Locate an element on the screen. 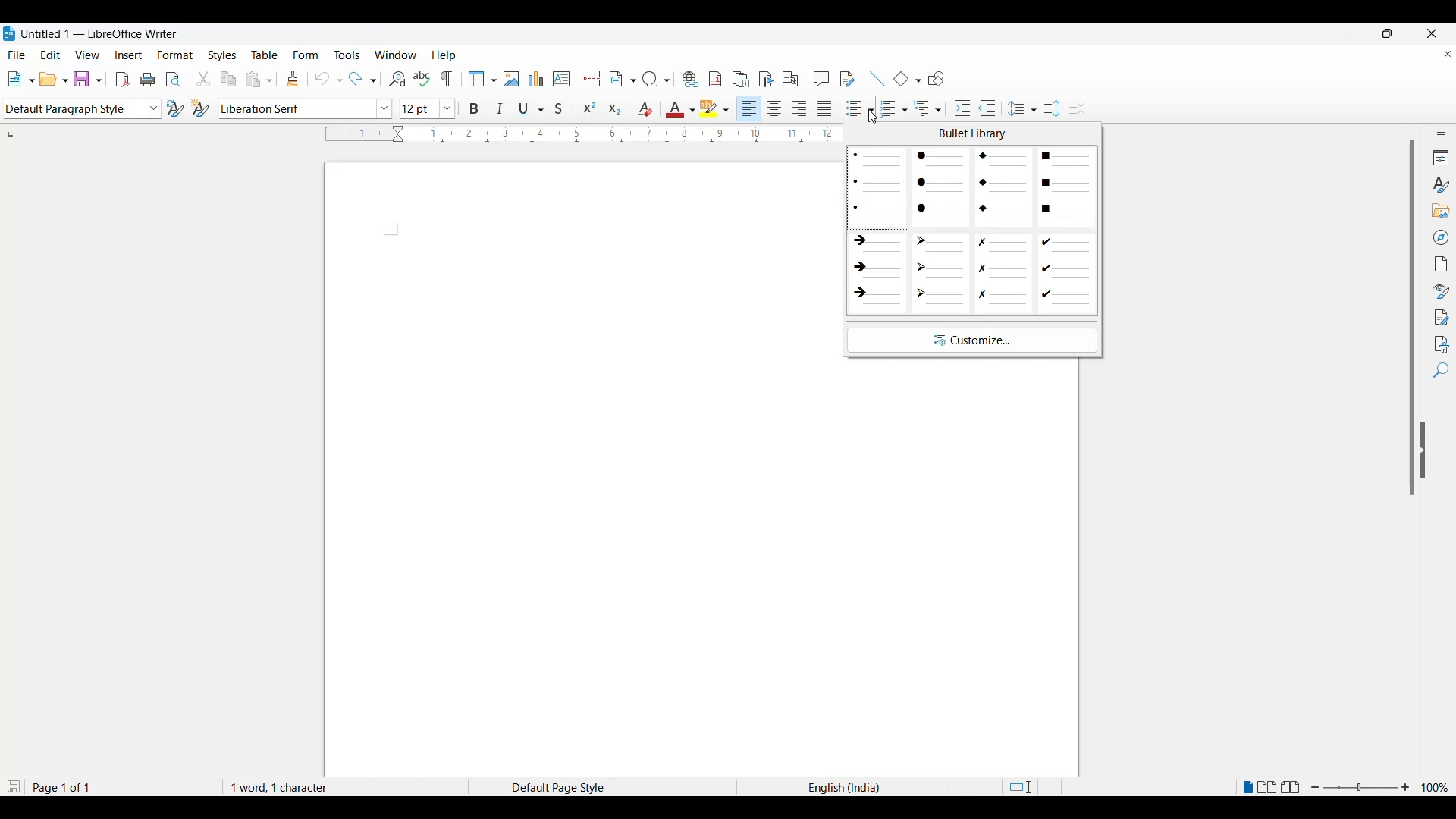 Image resolution: width=1456 pixels, height=819 pixels. Insert is located at coordinates (128, 53).